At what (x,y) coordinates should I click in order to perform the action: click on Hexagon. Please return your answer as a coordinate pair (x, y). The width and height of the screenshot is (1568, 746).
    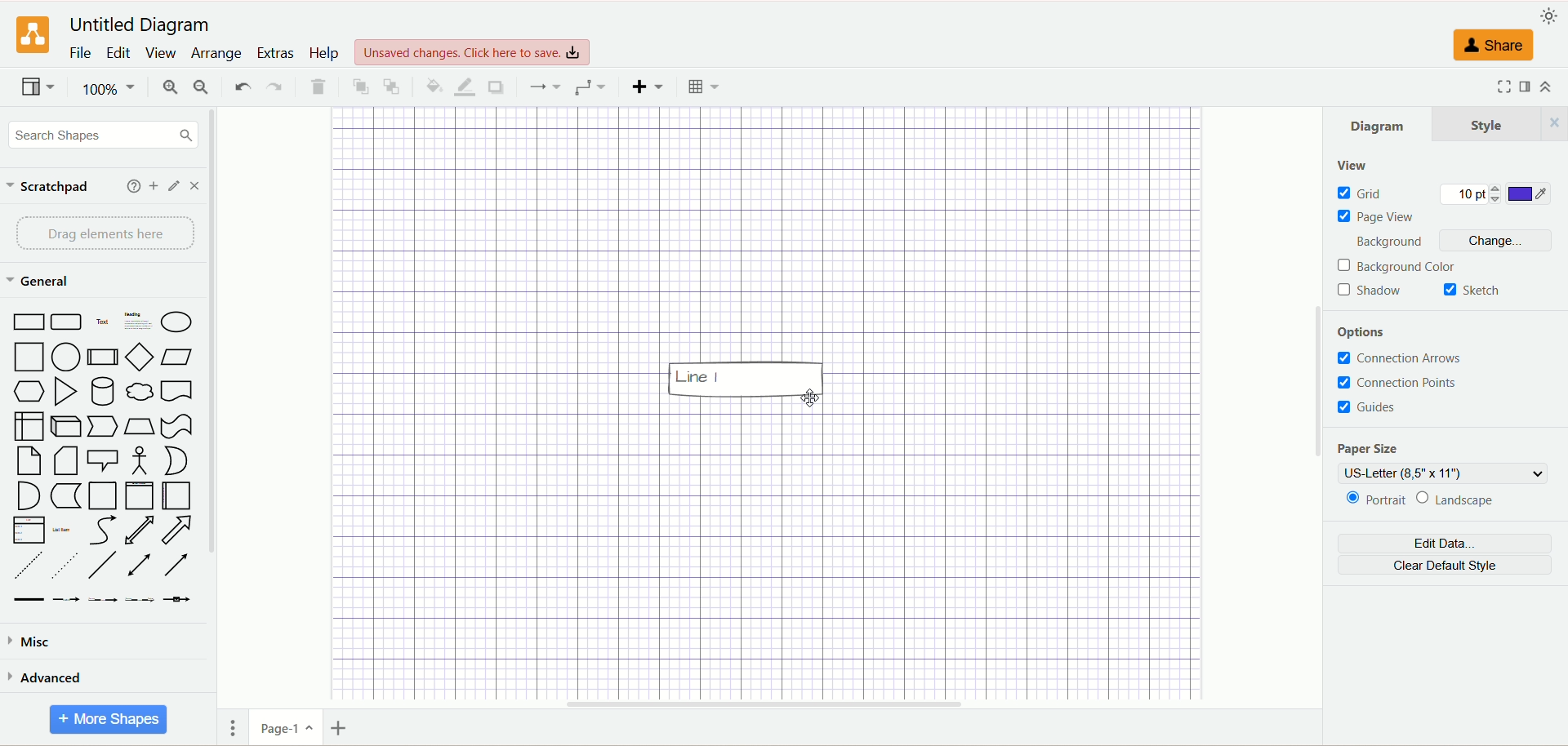
    Looking at the image, I should click on (29, 393).